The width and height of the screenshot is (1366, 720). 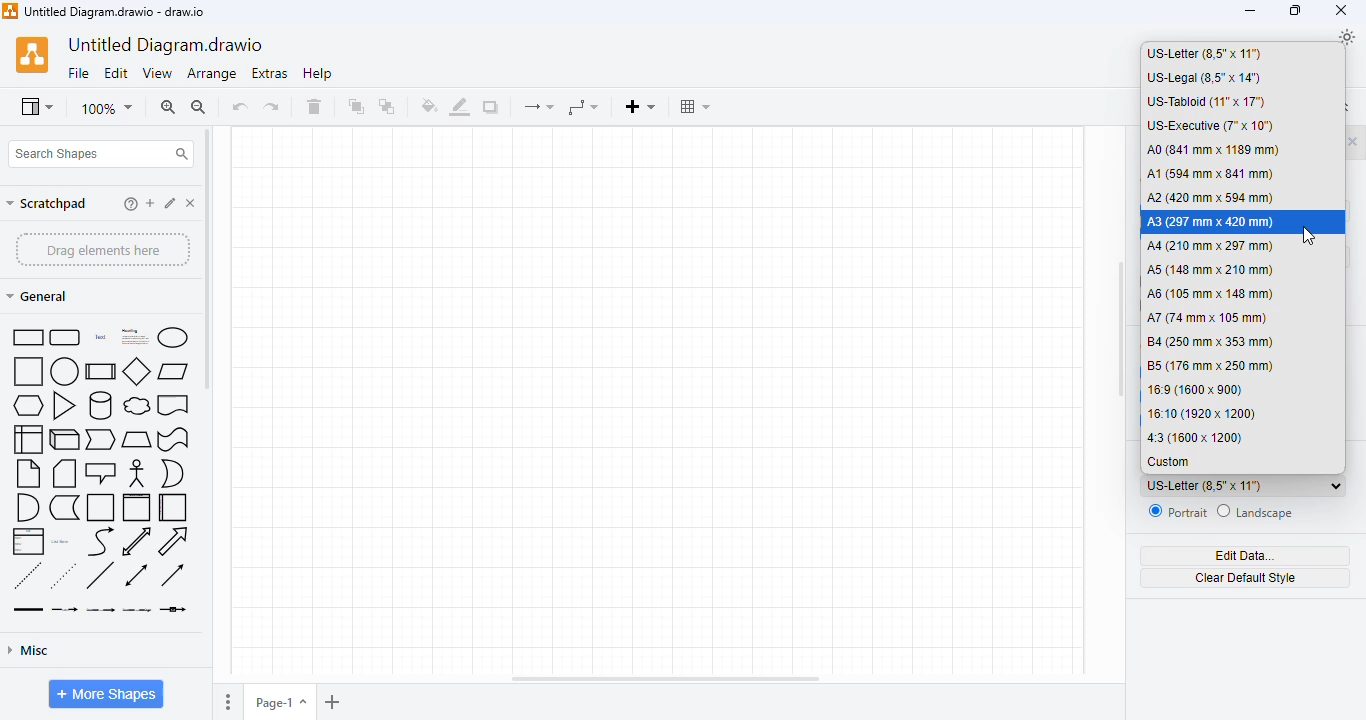 I want to click on edit, so click(x=171, y=203).